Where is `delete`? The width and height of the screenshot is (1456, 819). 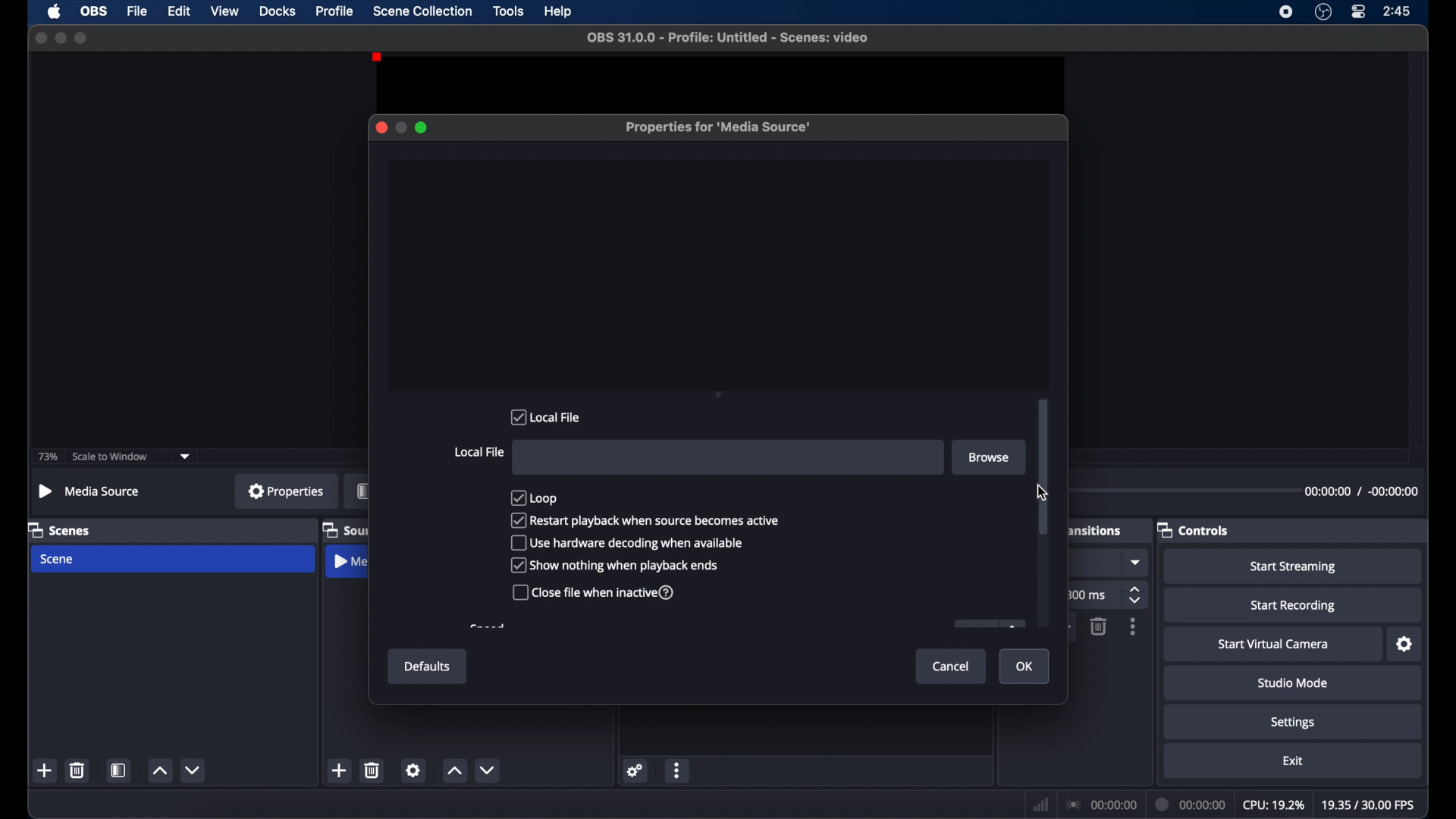
delete is located at coordinates (78, 770).